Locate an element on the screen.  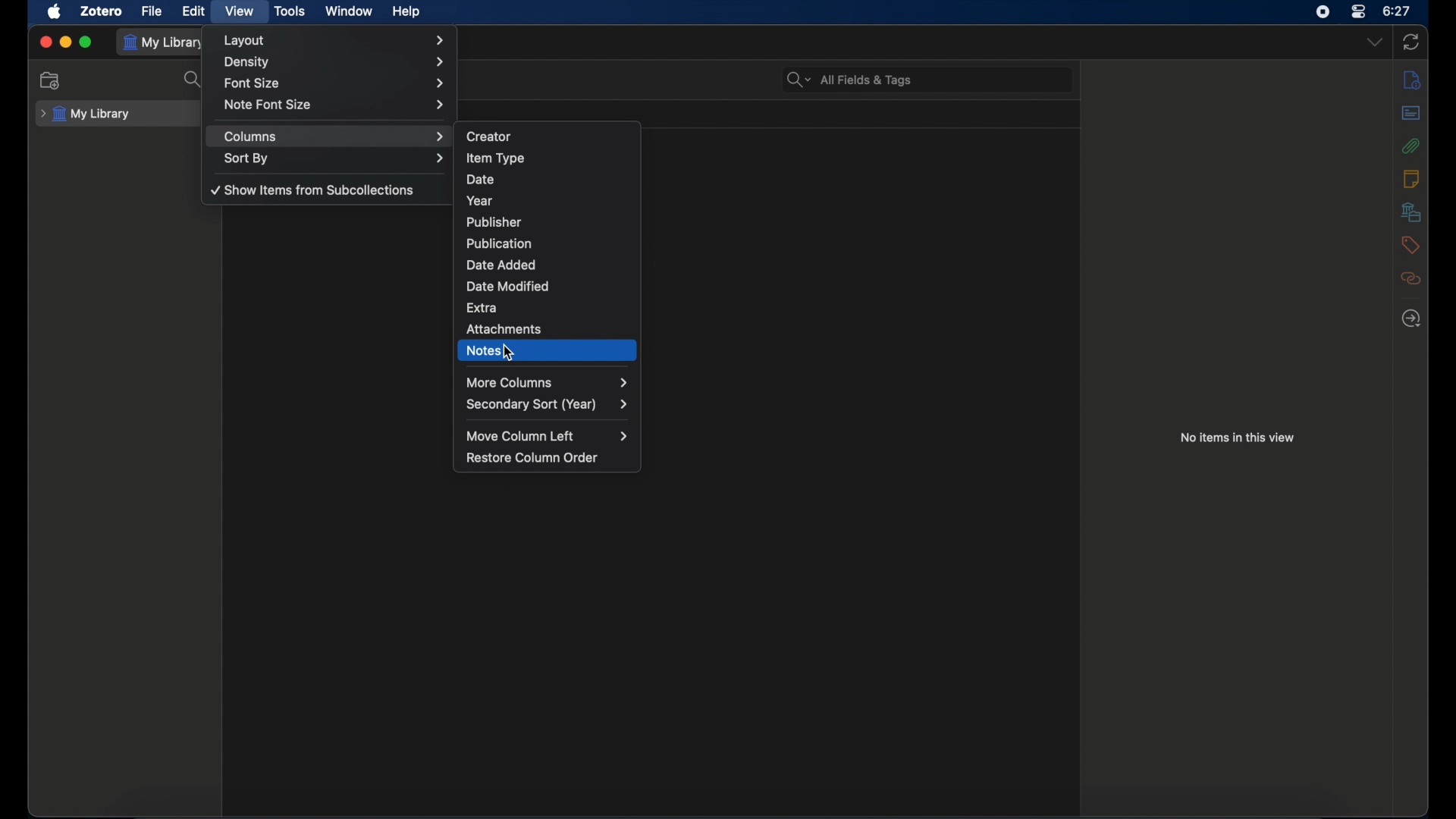
maximize is located at coordinates (86, 42).